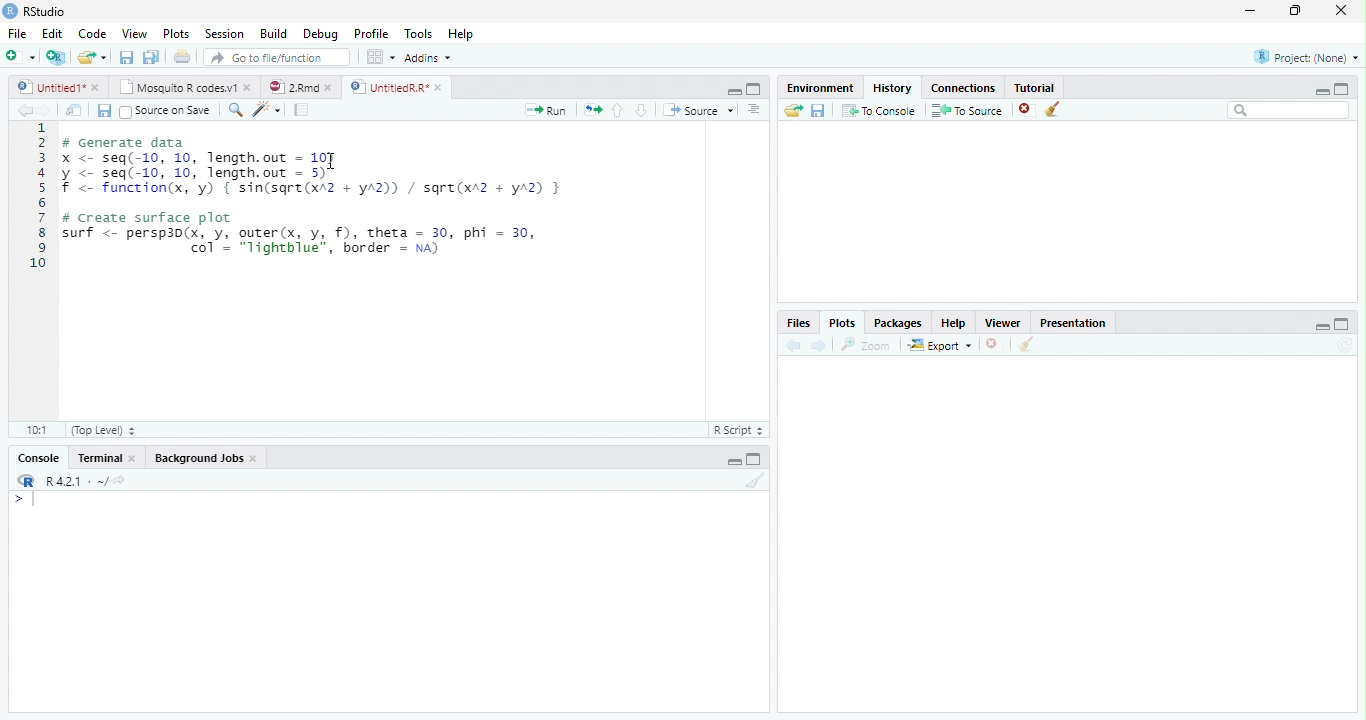  What do you see at coordinates (234, 110) in the screenshot?
I see `Find/replace` at bounding box center [234, 110].